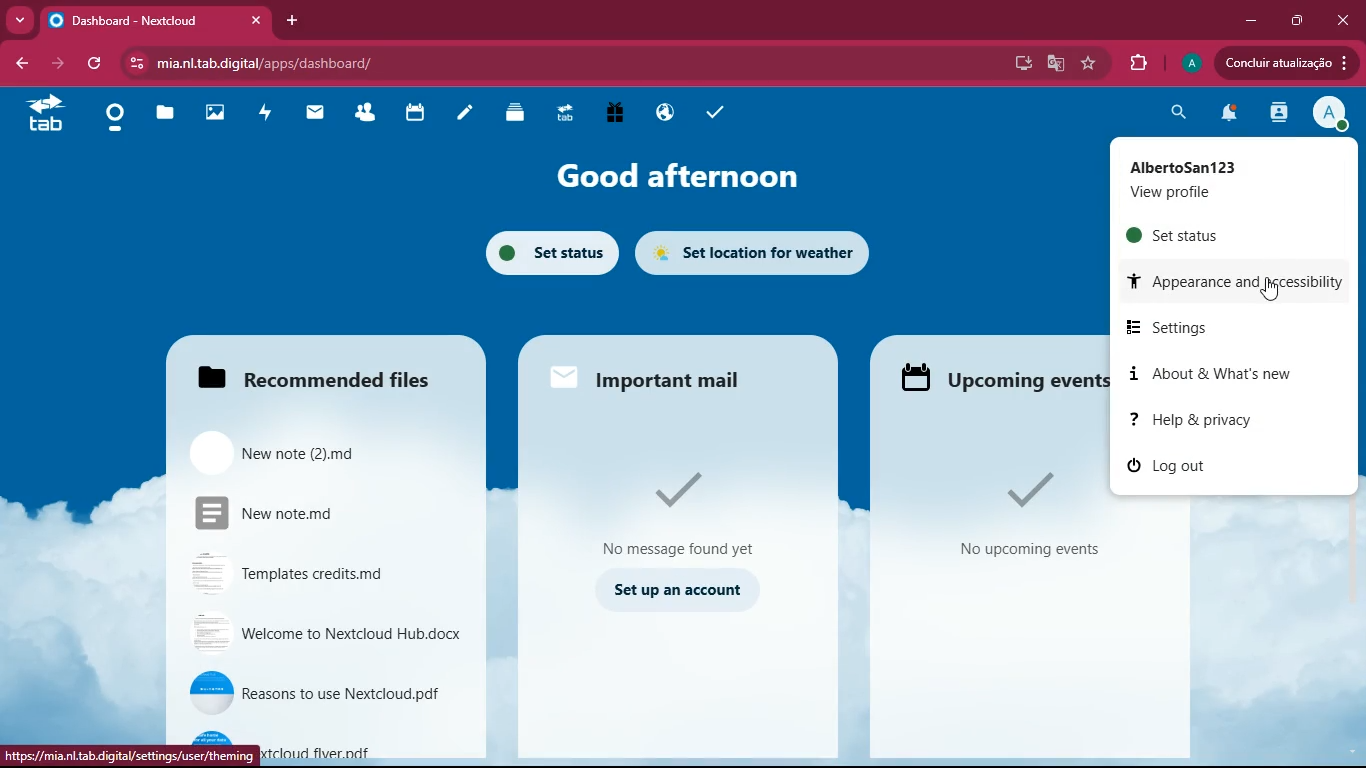 This screenshot has height=768, width=1366. Describe the element at coordinates (516, 117) in the screenshot. I see `layers` at that location.